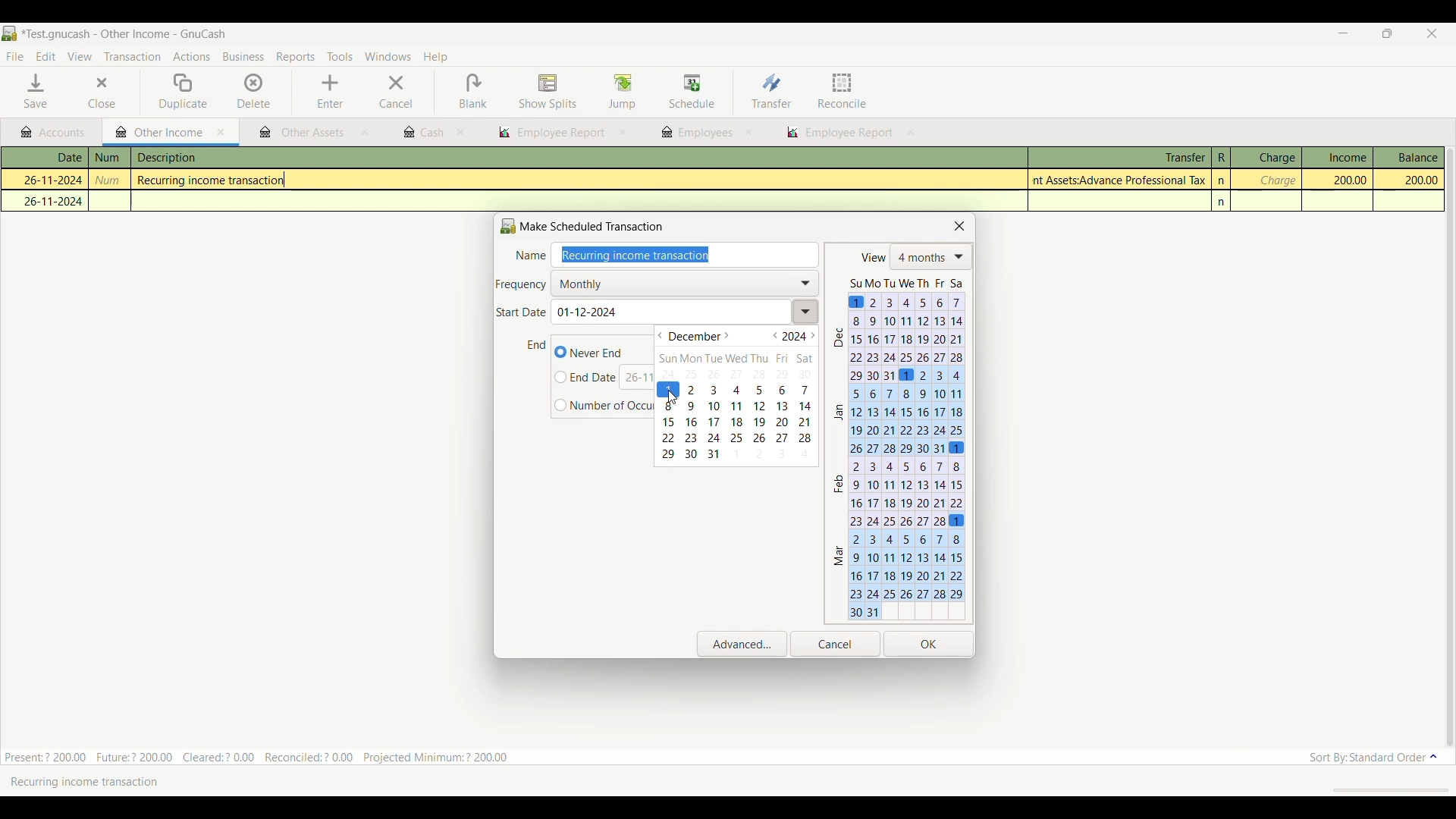 The image size is (1456, 819). Describe the element at coordinates (835, 645) in the screenshot. I see `Cancel inputs` at that location.